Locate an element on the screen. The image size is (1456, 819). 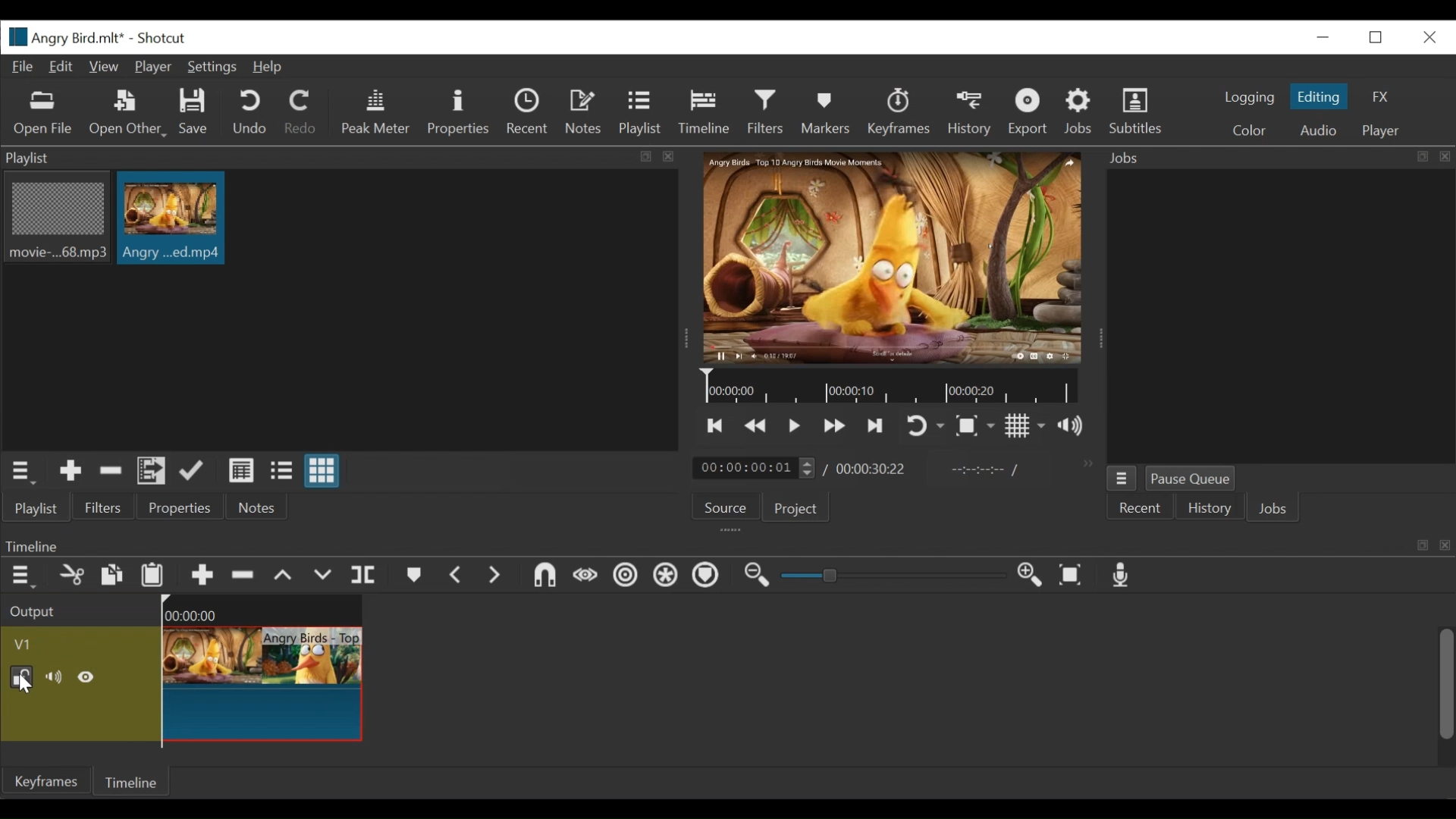
Skip to the next point is located at coordinates (875, 426).